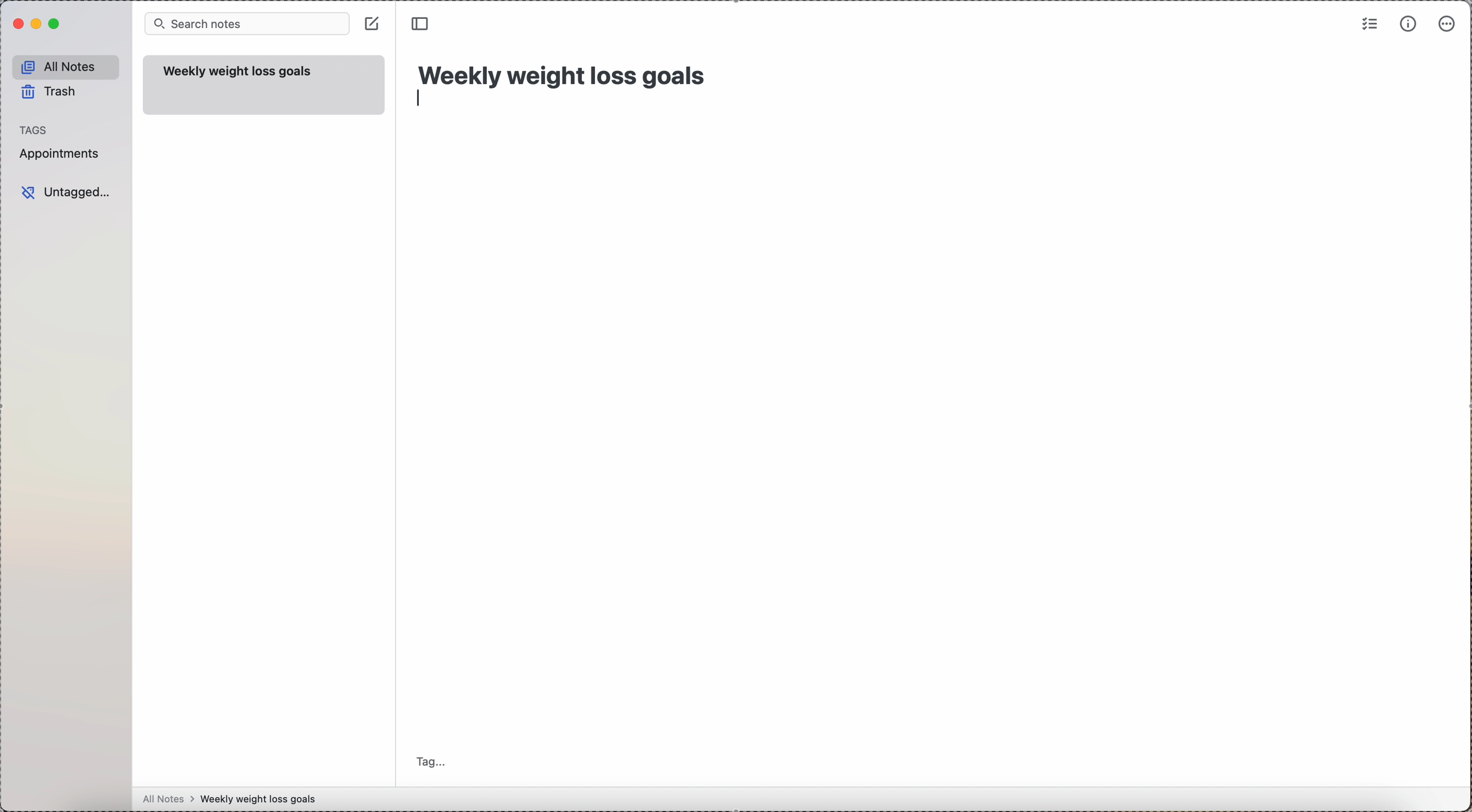 Image resolution: width=1472 pixels, height=812 pixels. What do you see at coordinates (266, 85) in the screenshot?
I see `weekly weigth loss goals note` at bounding box center [266, 85].